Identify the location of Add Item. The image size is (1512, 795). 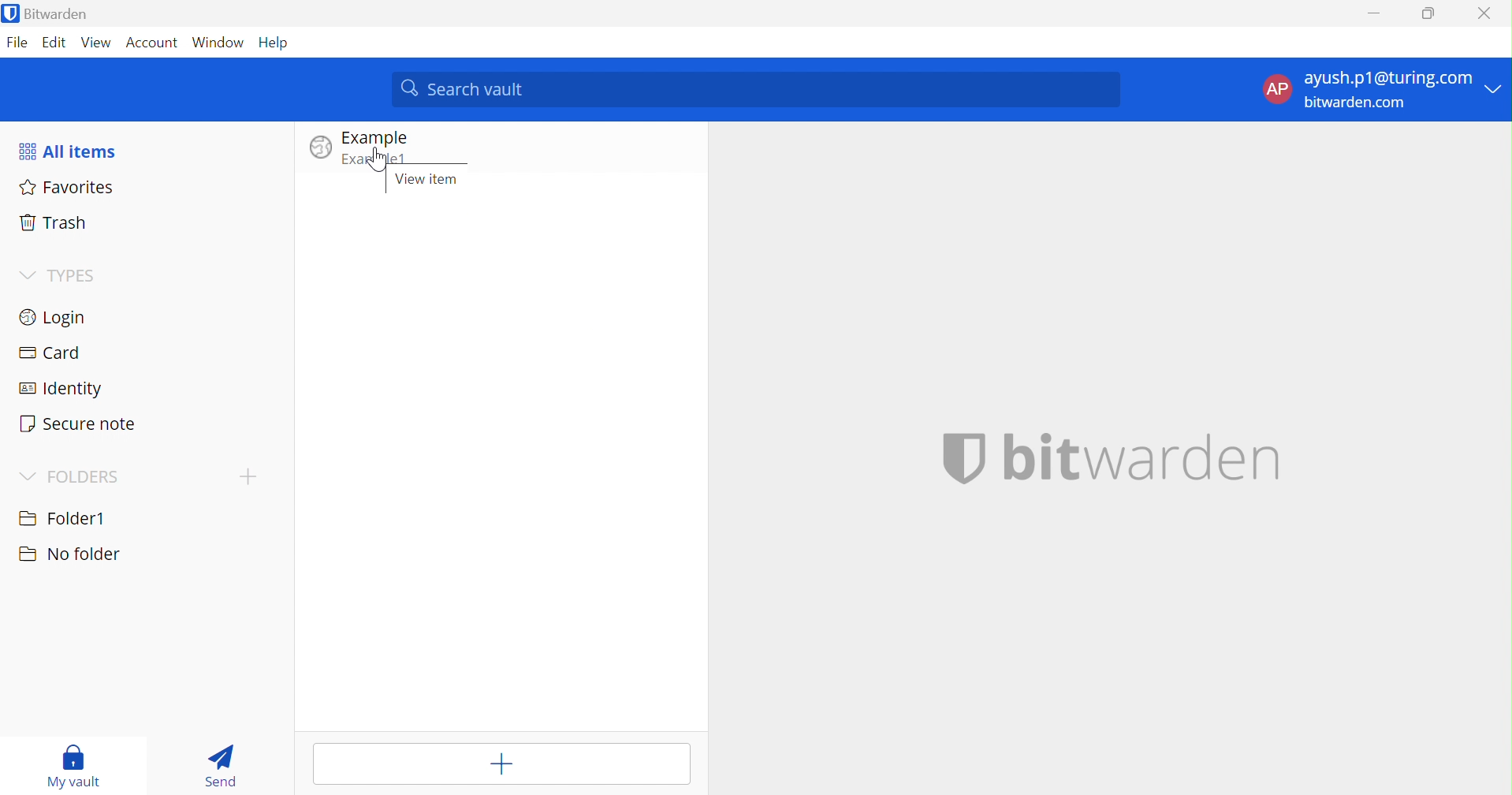
(503, 763).